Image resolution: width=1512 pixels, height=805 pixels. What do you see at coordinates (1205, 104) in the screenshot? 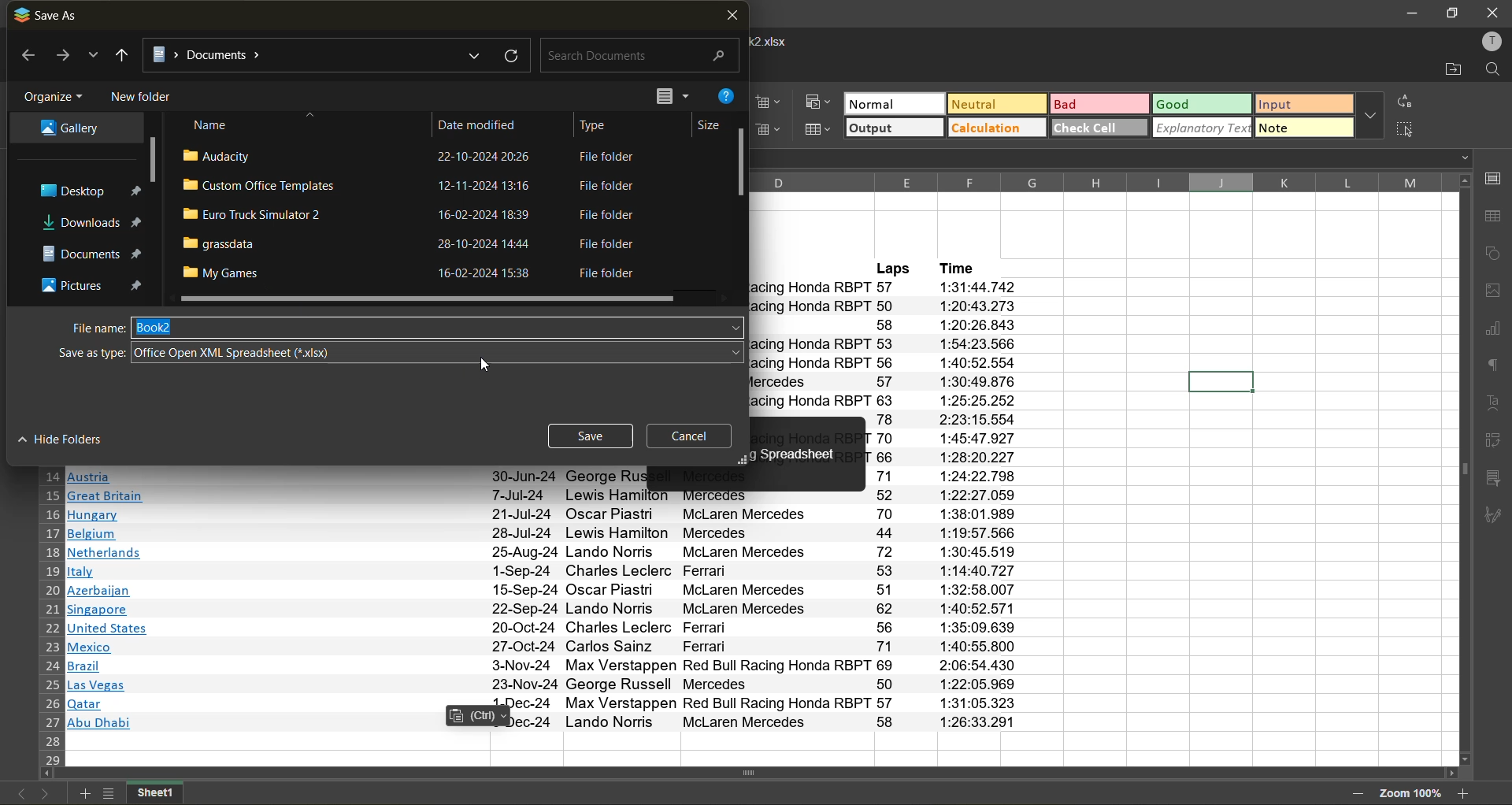
I see `good` at bounding box center [1205, 104].